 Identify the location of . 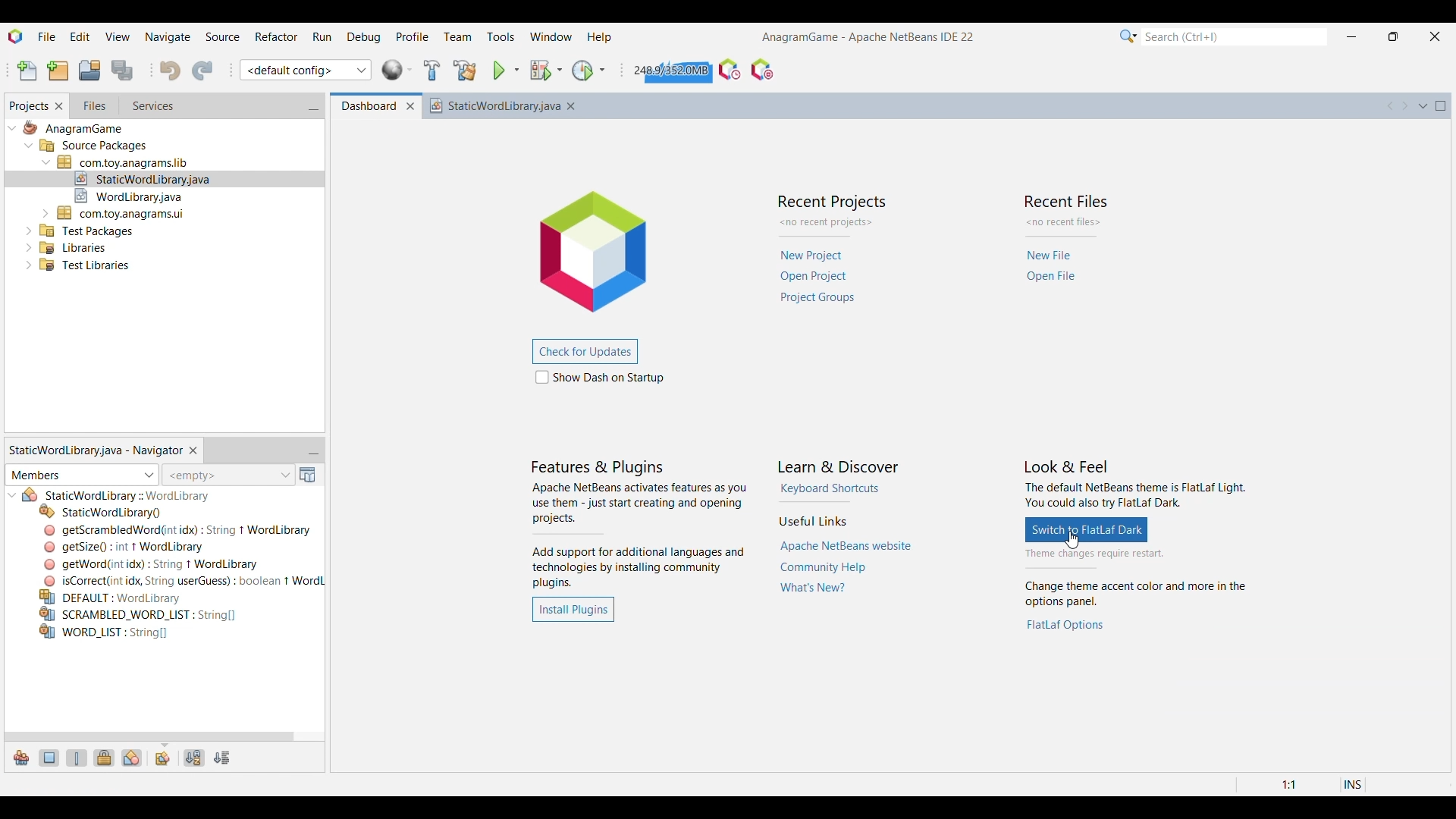
(104, 634).